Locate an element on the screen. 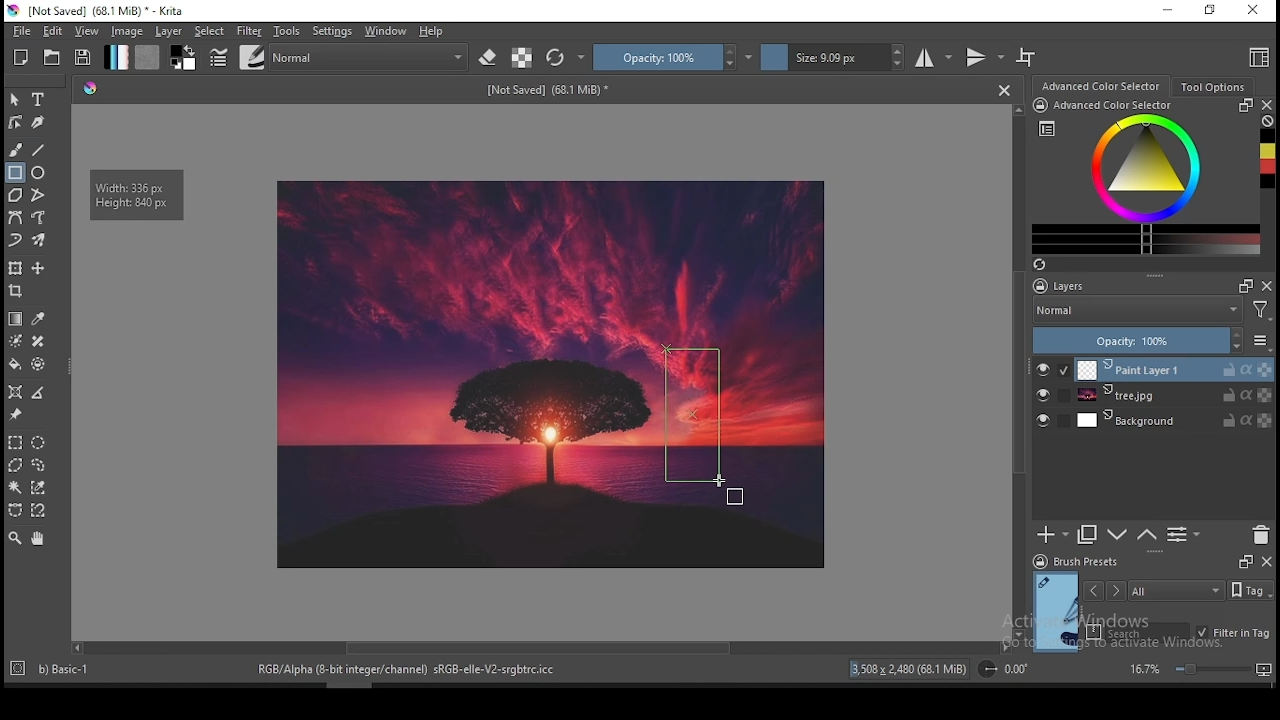 This screenshot has width=1280, height=720. close docker is located at coordinates (1268, 105).